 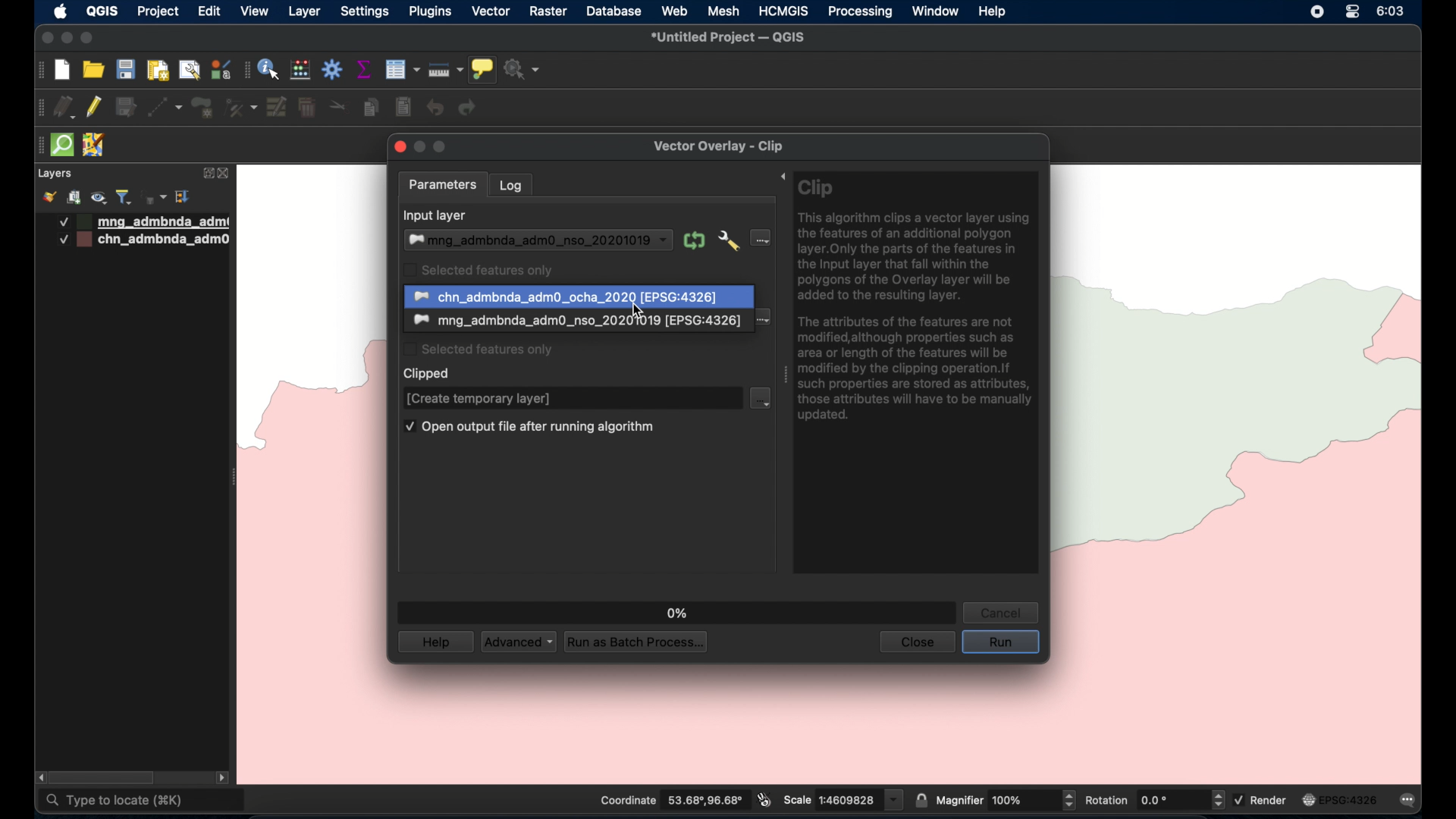 I want to click on cut, so click(x=338, y=105).